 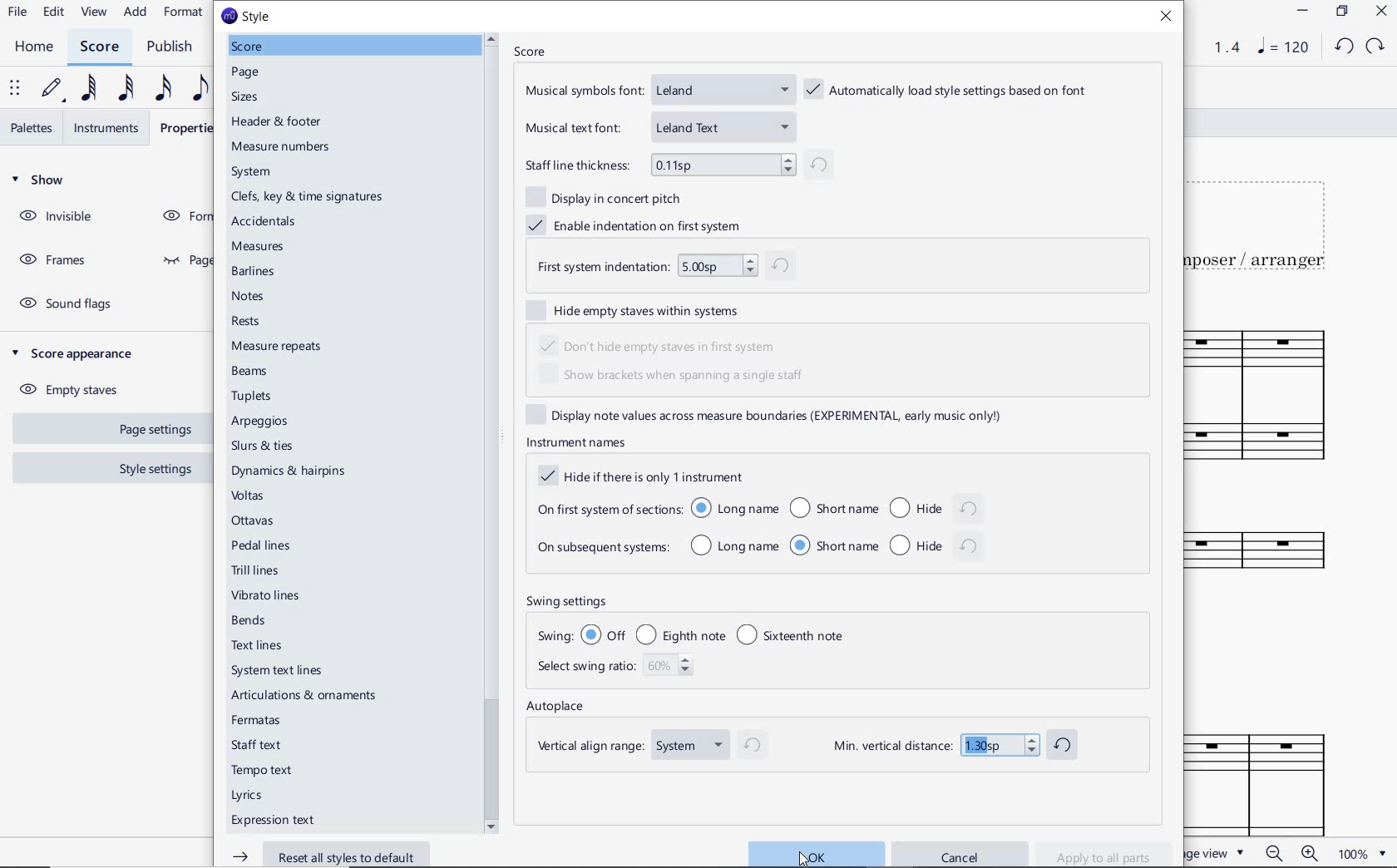 I want to click on page view, so click(x=1217, y=852).